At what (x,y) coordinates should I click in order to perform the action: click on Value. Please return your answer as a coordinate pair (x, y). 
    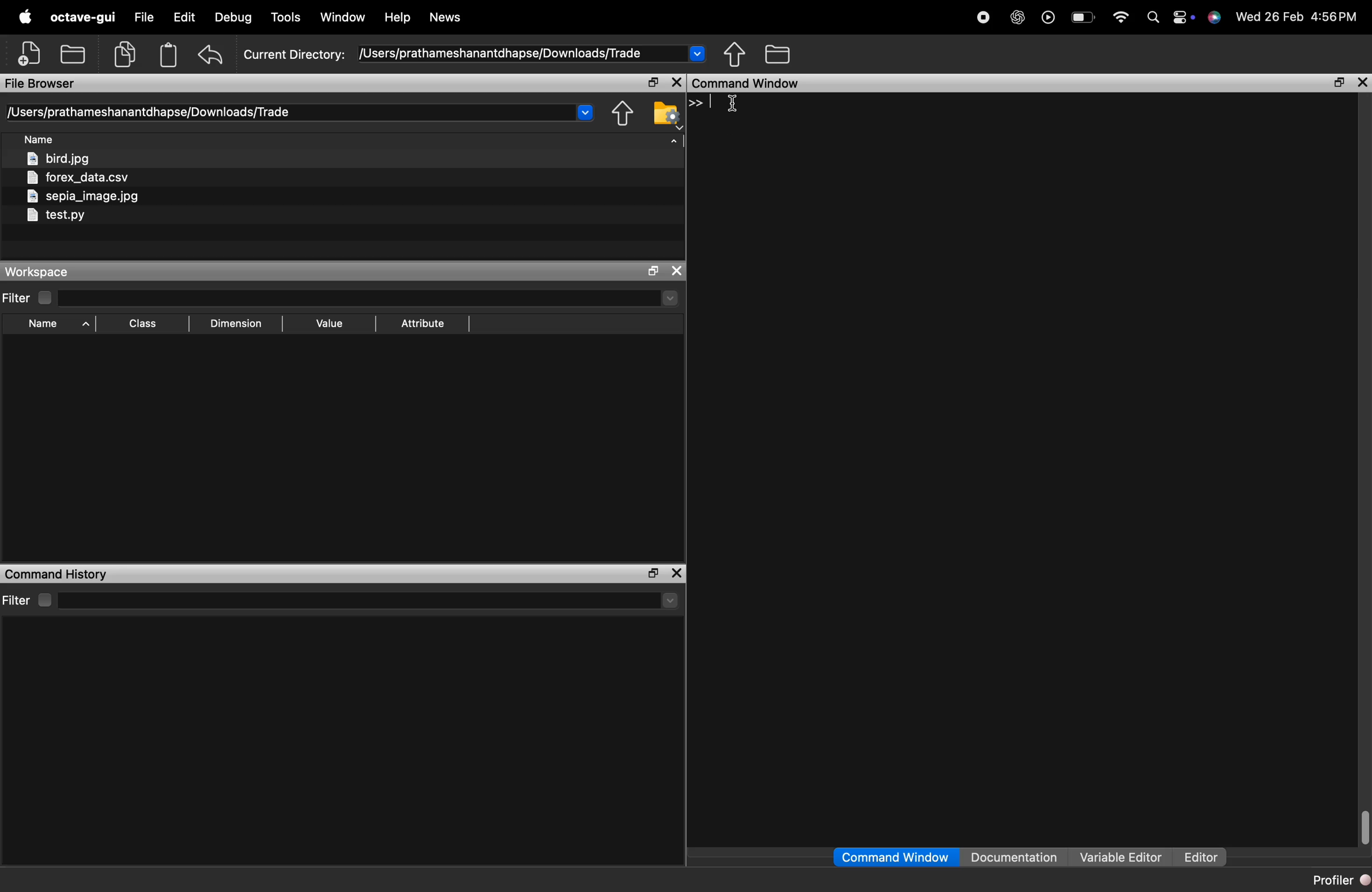
    Looking at the image, I should click on (329, 323).